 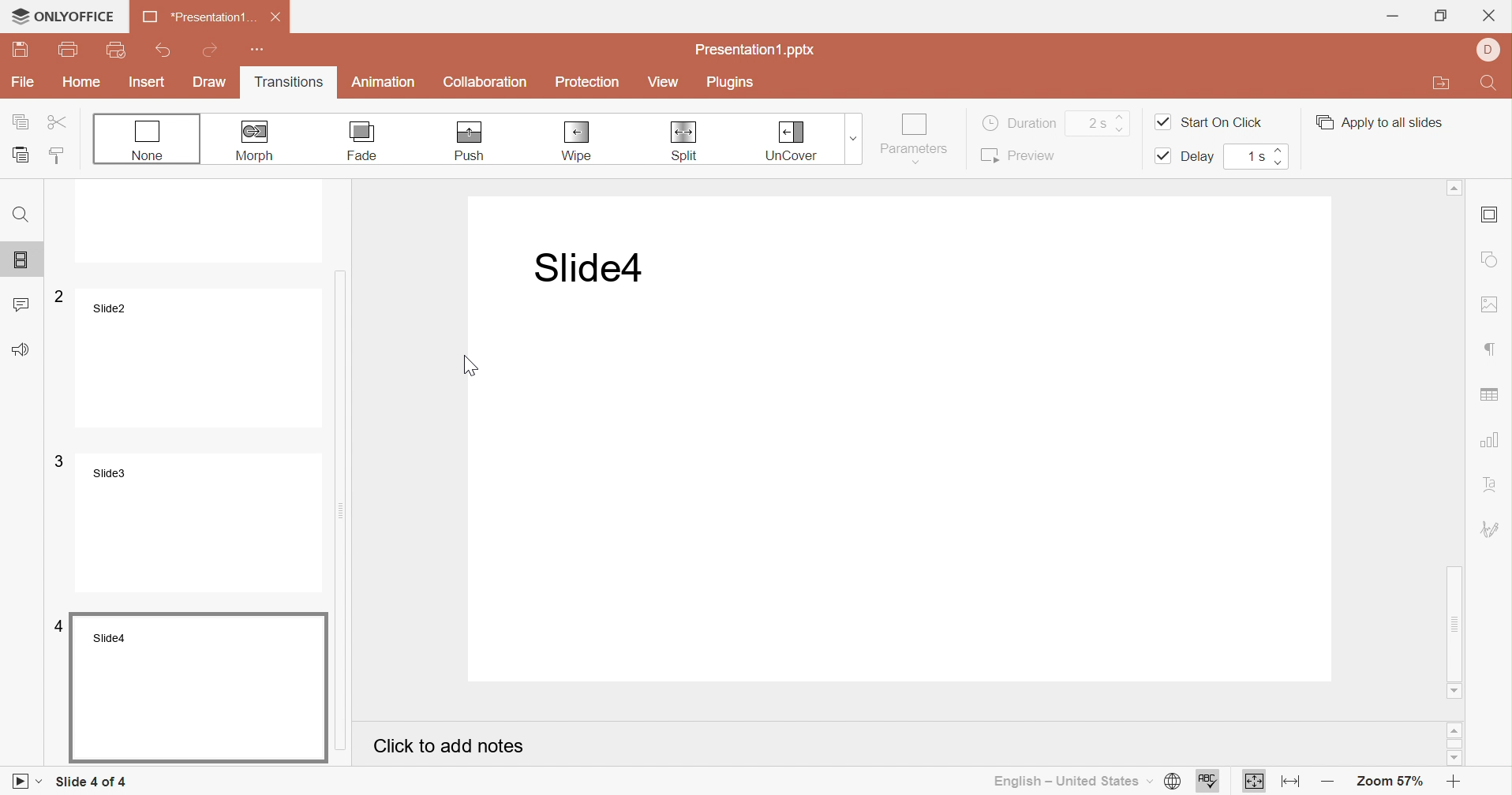 I want to click on Shape settings, so click(x=1488, y=260).